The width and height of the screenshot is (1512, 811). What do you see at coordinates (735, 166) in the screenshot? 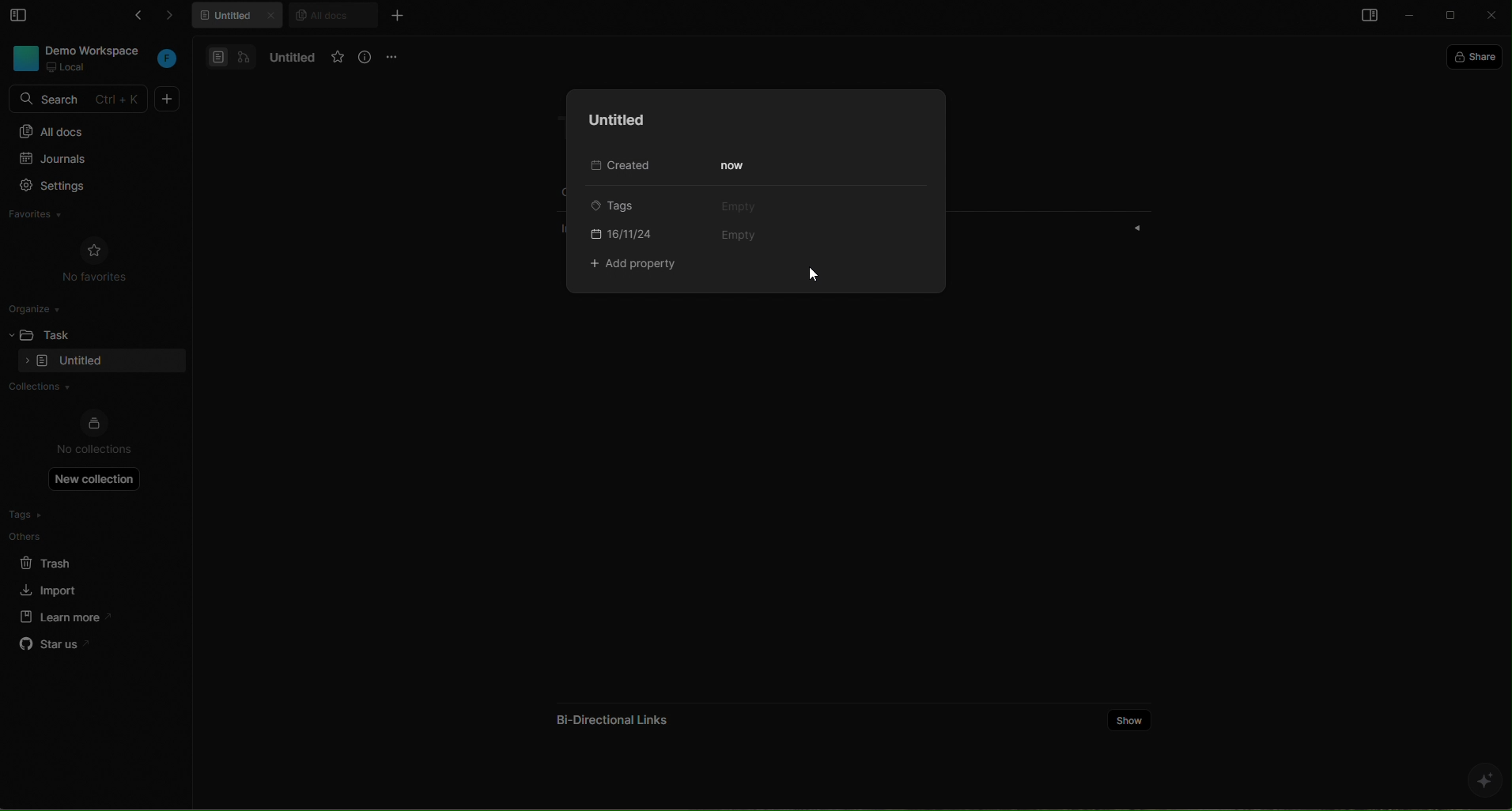
I see `now` at bounding box center [735, 166].